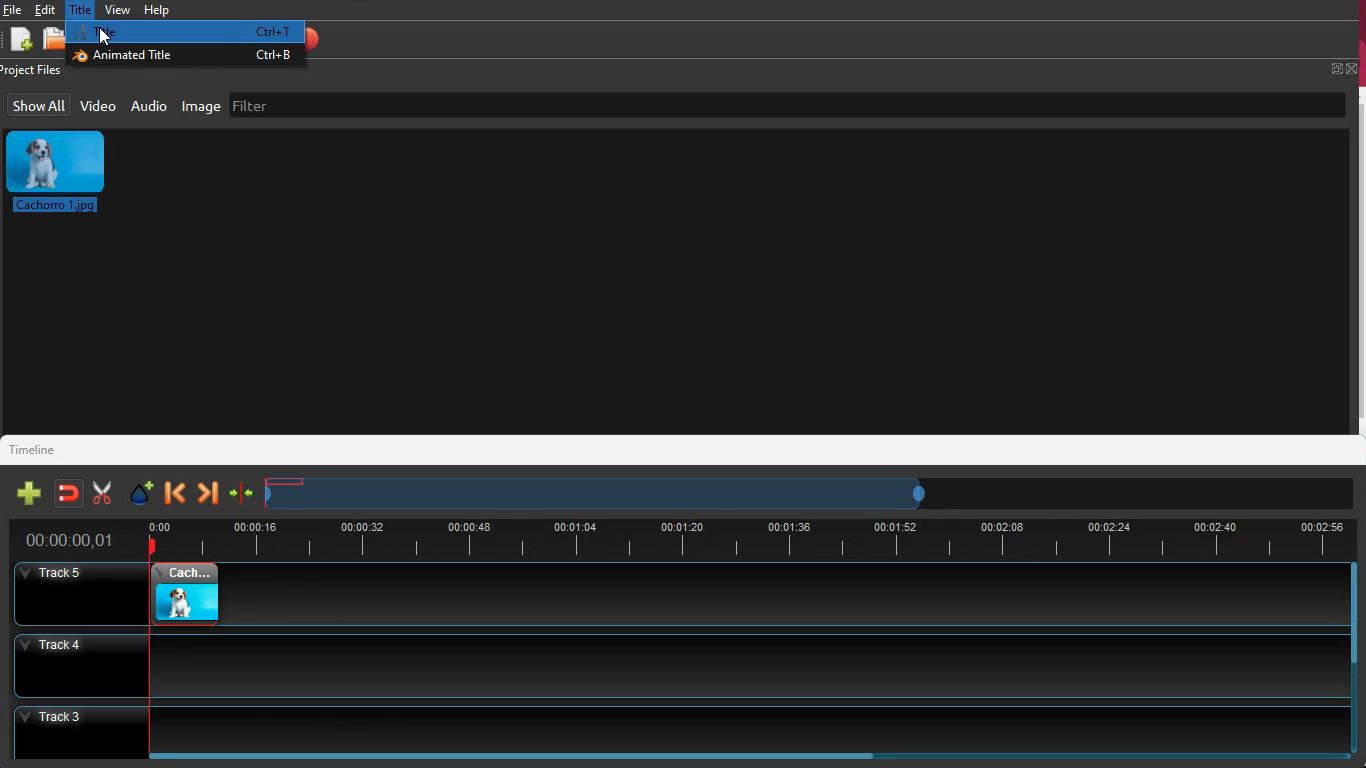 This screenshot has width=1366, height=768. Describe the element at coordinates (67, 594) in the screenshot. I see `` at that location.